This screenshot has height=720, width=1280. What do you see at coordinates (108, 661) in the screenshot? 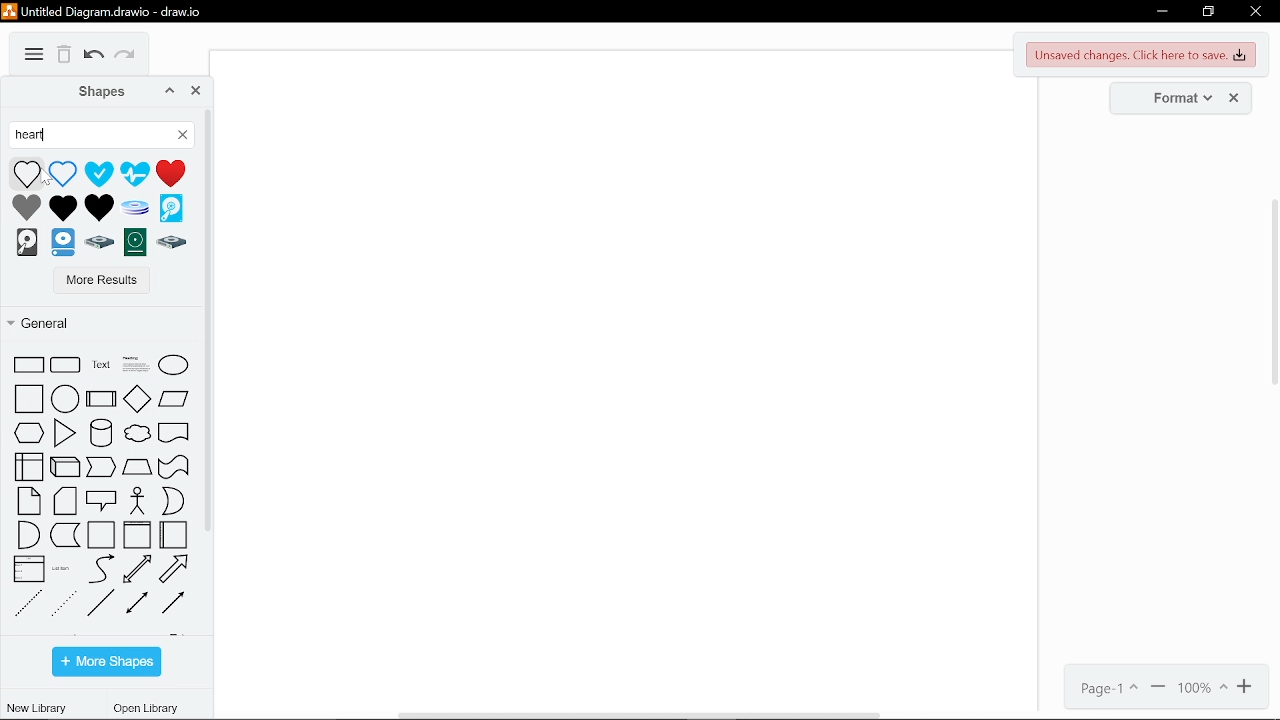
I see `more shapes` at bounding box center [108, 661].